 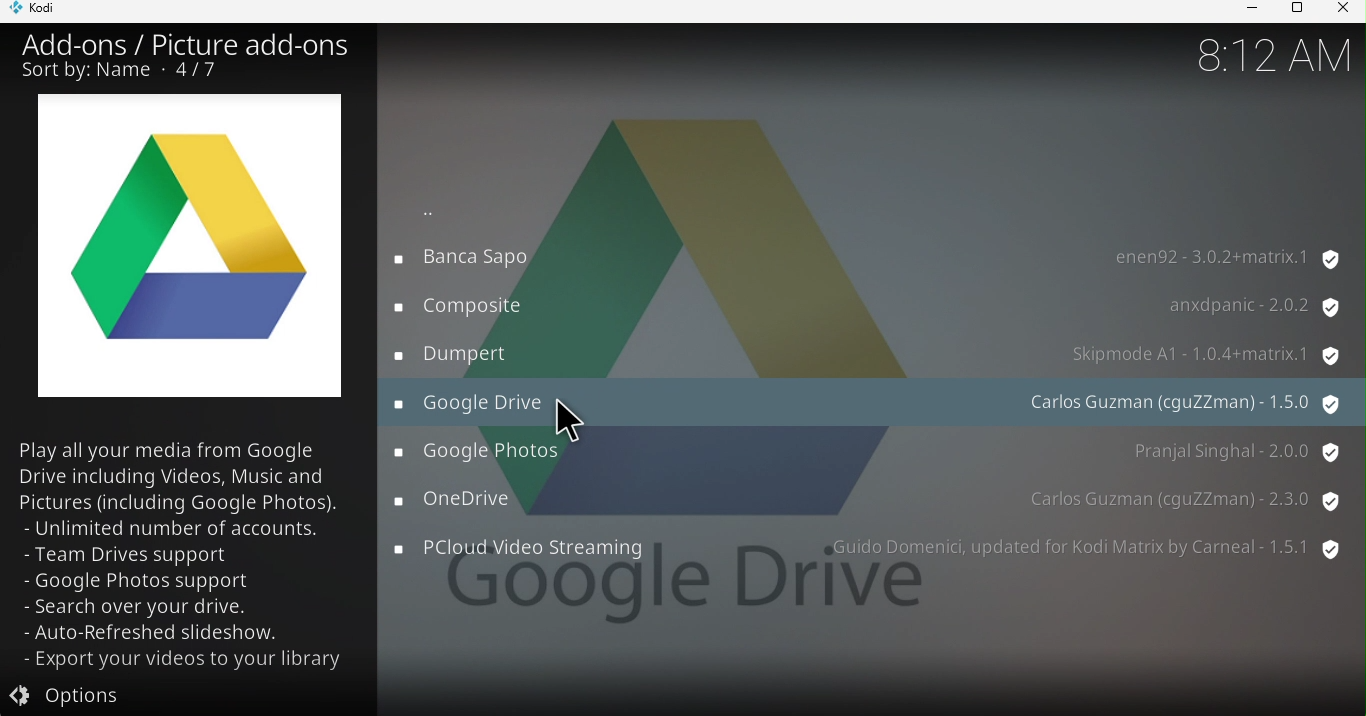 What do you see at coordinates (870, 258) in the screenshot?
I see `Banca sapo` at bounding box center [870, 258].